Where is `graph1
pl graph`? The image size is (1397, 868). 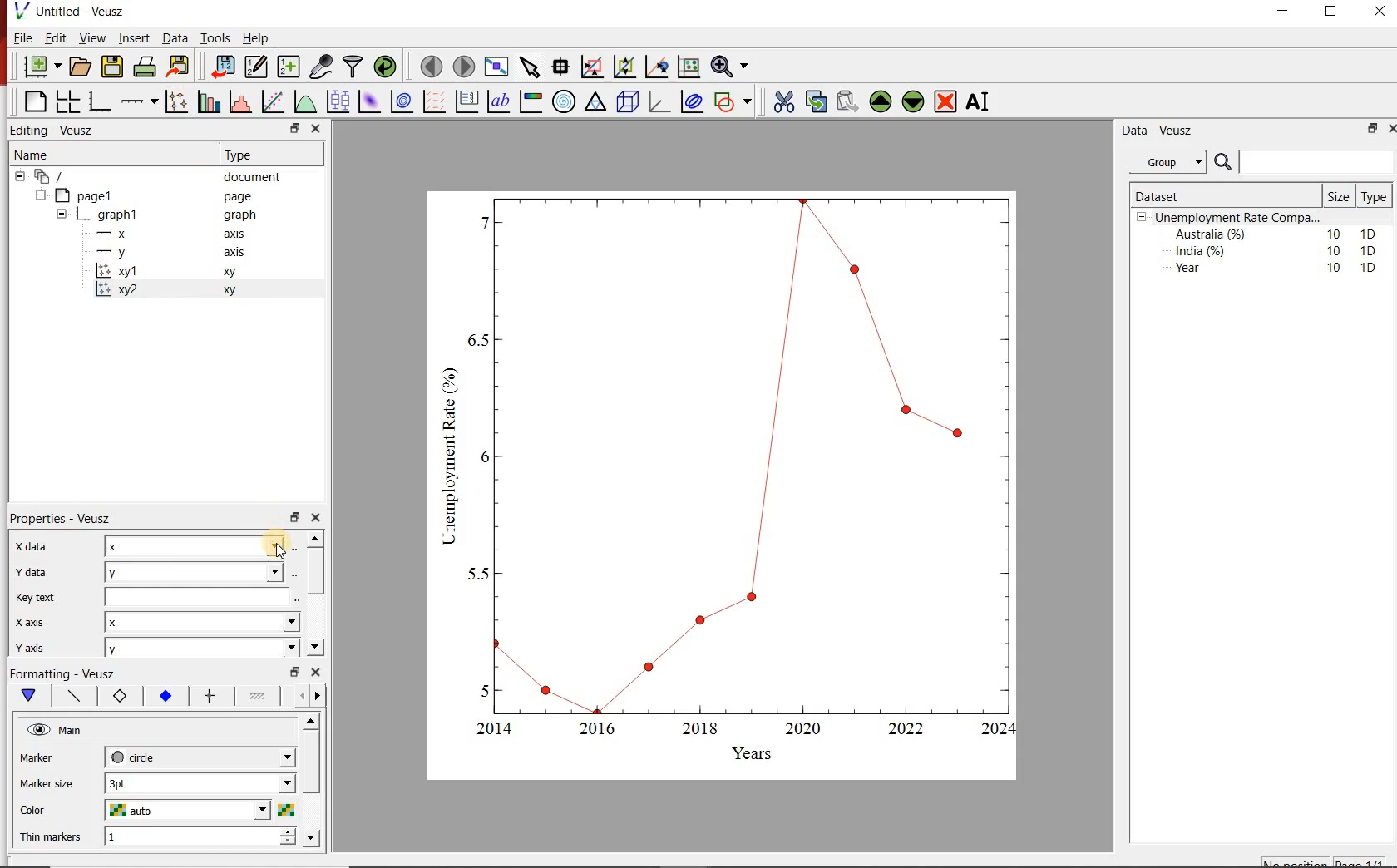
graph1
pl graph is located at coordinates (172, 215).